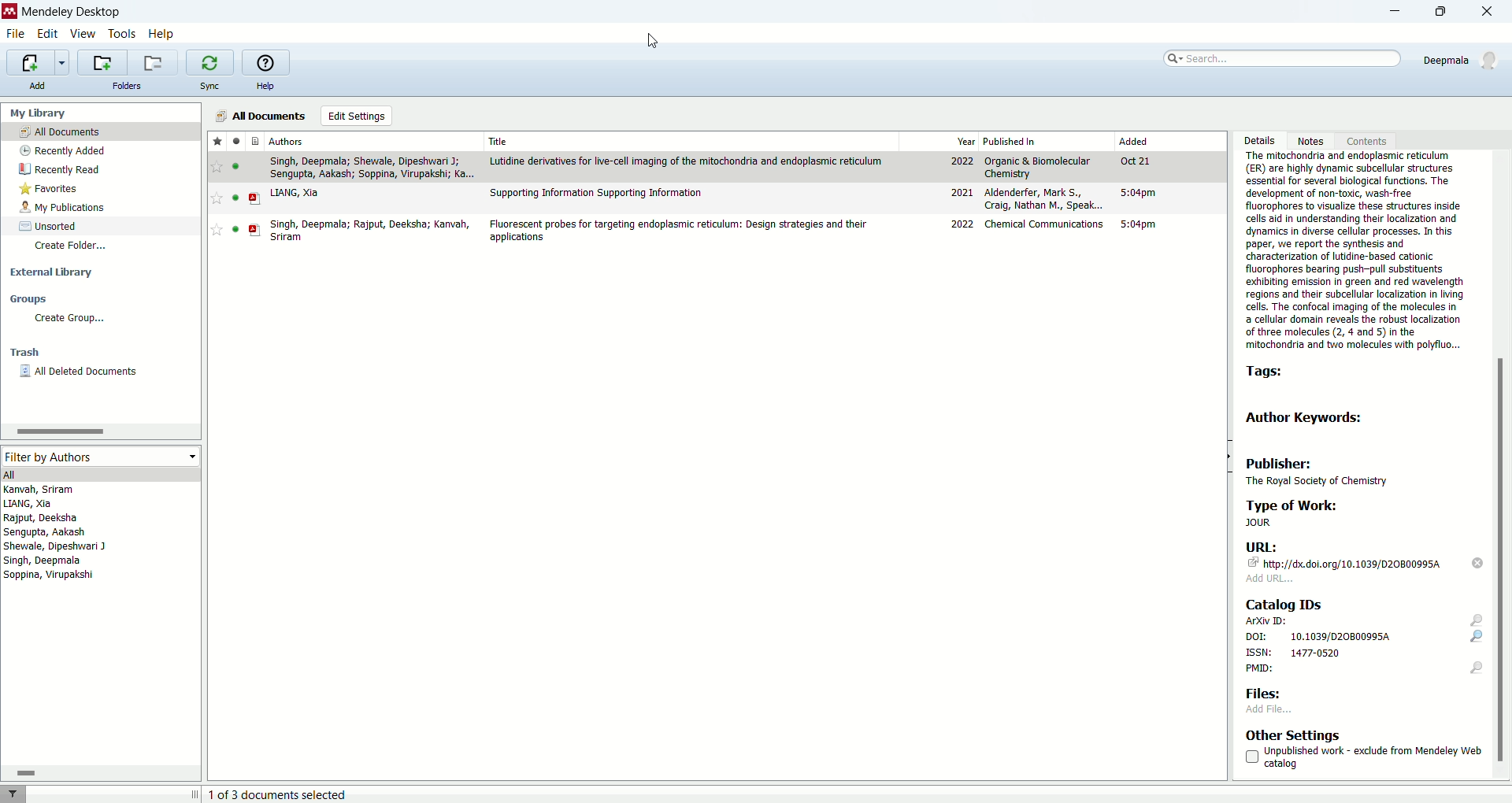 This screenshot has height=803, width=1512. I want to click on maximize, so click(1447, 11).